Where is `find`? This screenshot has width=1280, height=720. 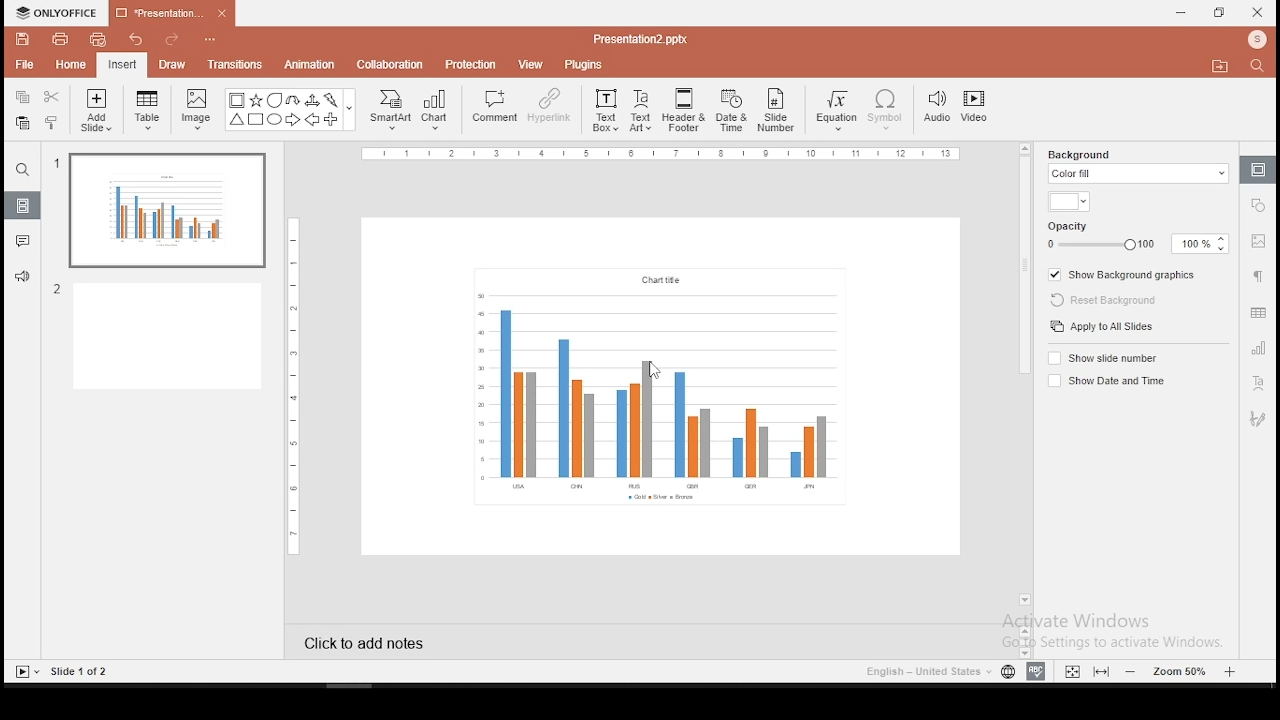 find is located at coordinates (23, 169).